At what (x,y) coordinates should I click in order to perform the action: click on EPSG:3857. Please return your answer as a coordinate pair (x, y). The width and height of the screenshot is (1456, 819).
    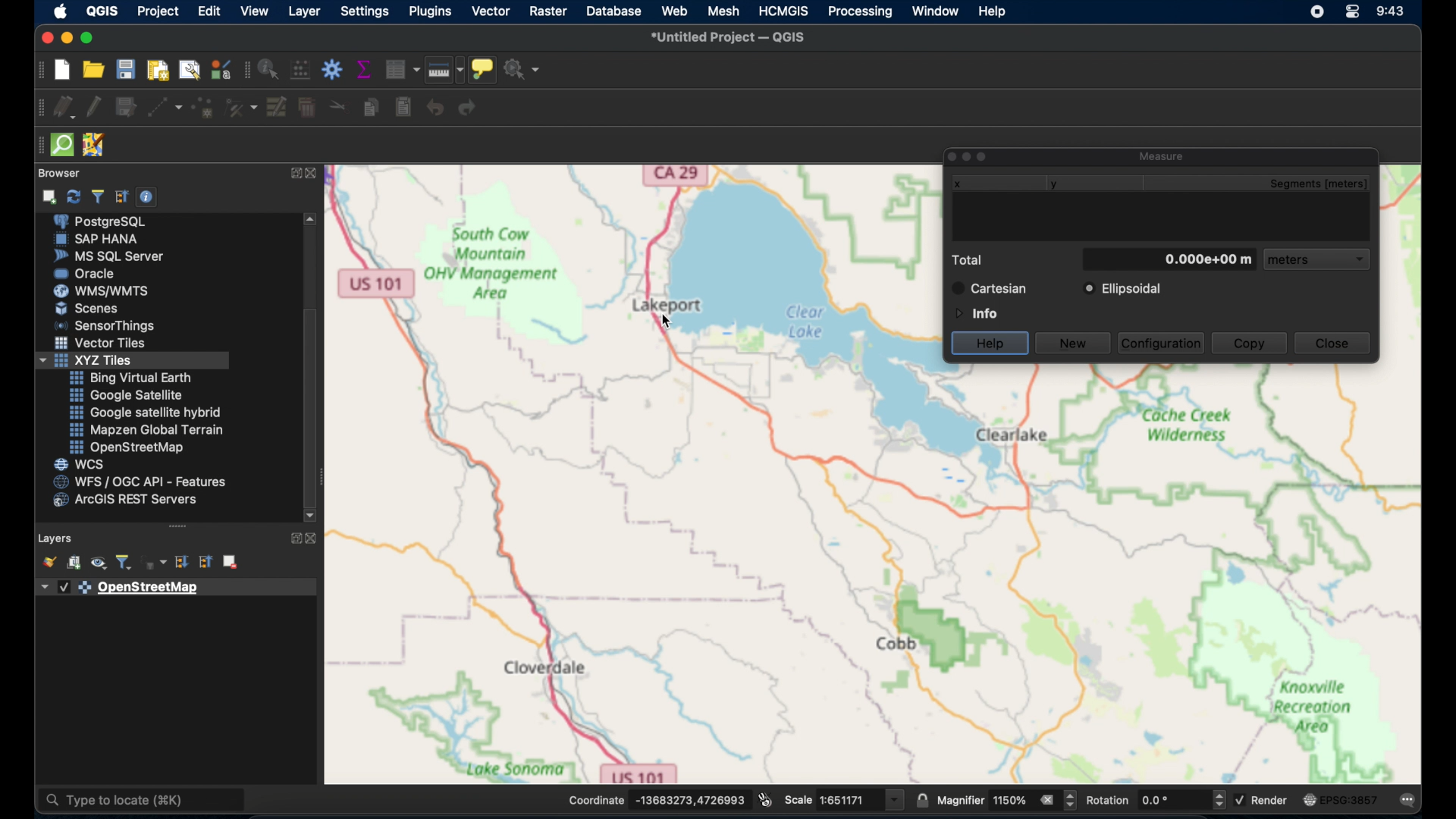
    Looking at the image, I should click on (1341, 799).